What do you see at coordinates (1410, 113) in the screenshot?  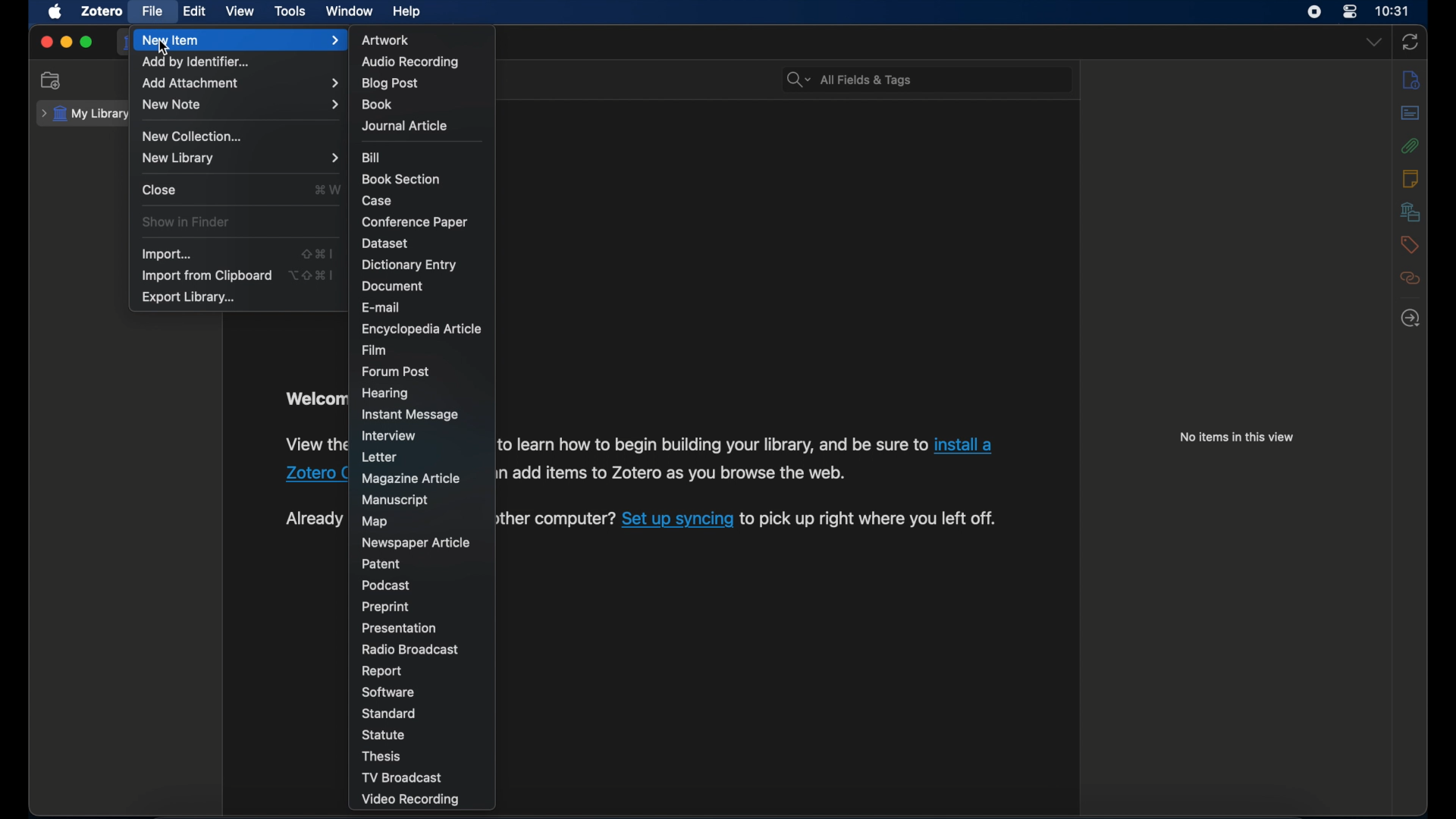 I see `abstract` at bounding box center [1410, 113].